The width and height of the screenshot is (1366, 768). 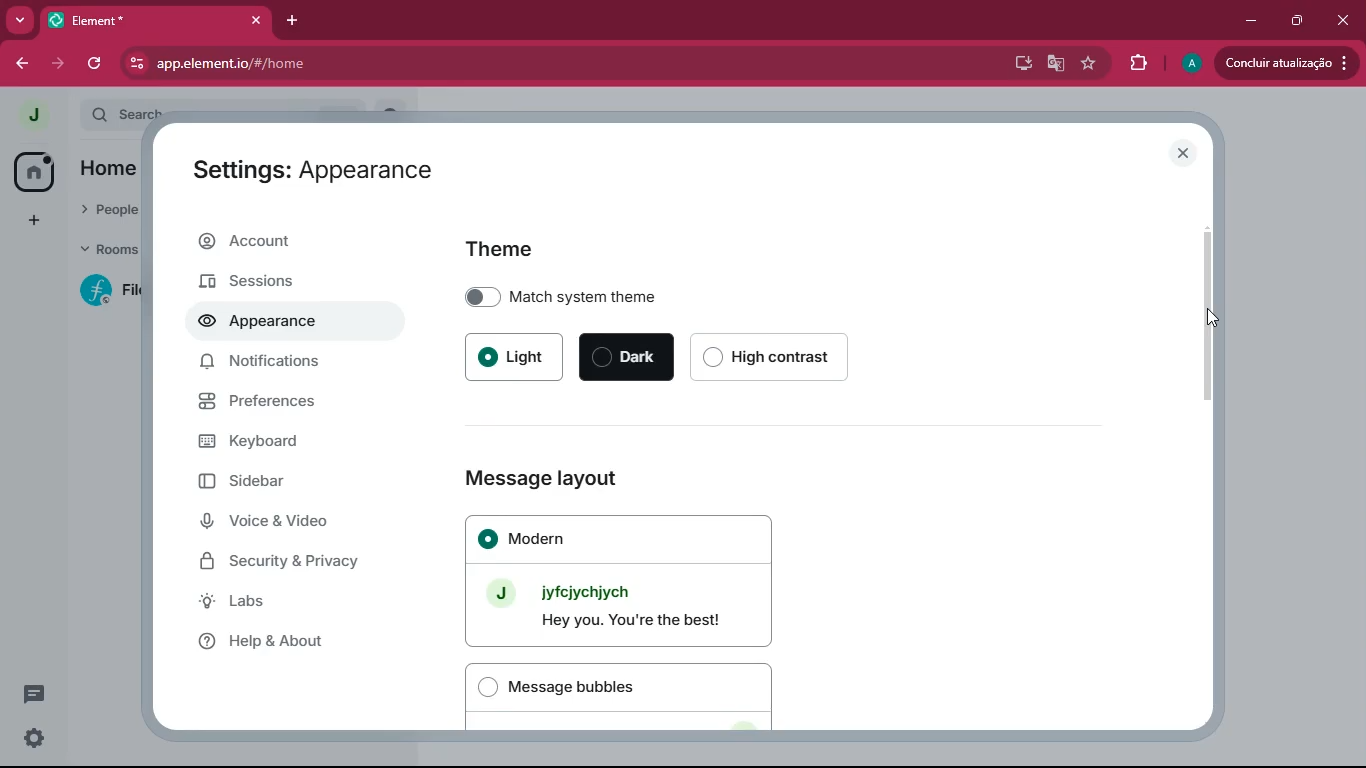 What do you see at coordinates (23, 65) in the screenshot?
I see `back` at bounding box center [23, 65].